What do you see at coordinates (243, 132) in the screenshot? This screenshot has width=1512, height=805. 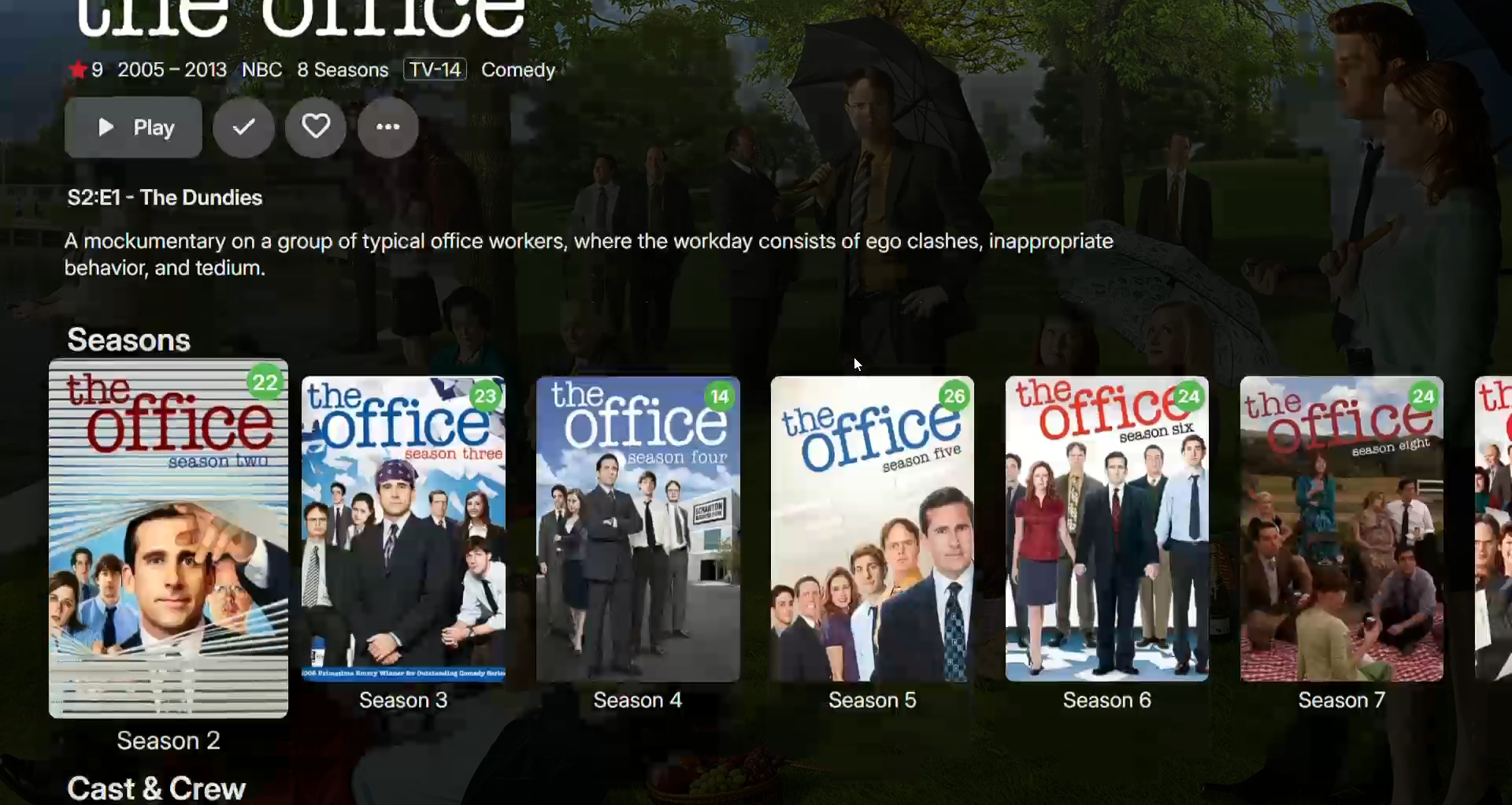 I see `Mark as seen` at bounding box center [243, 132].